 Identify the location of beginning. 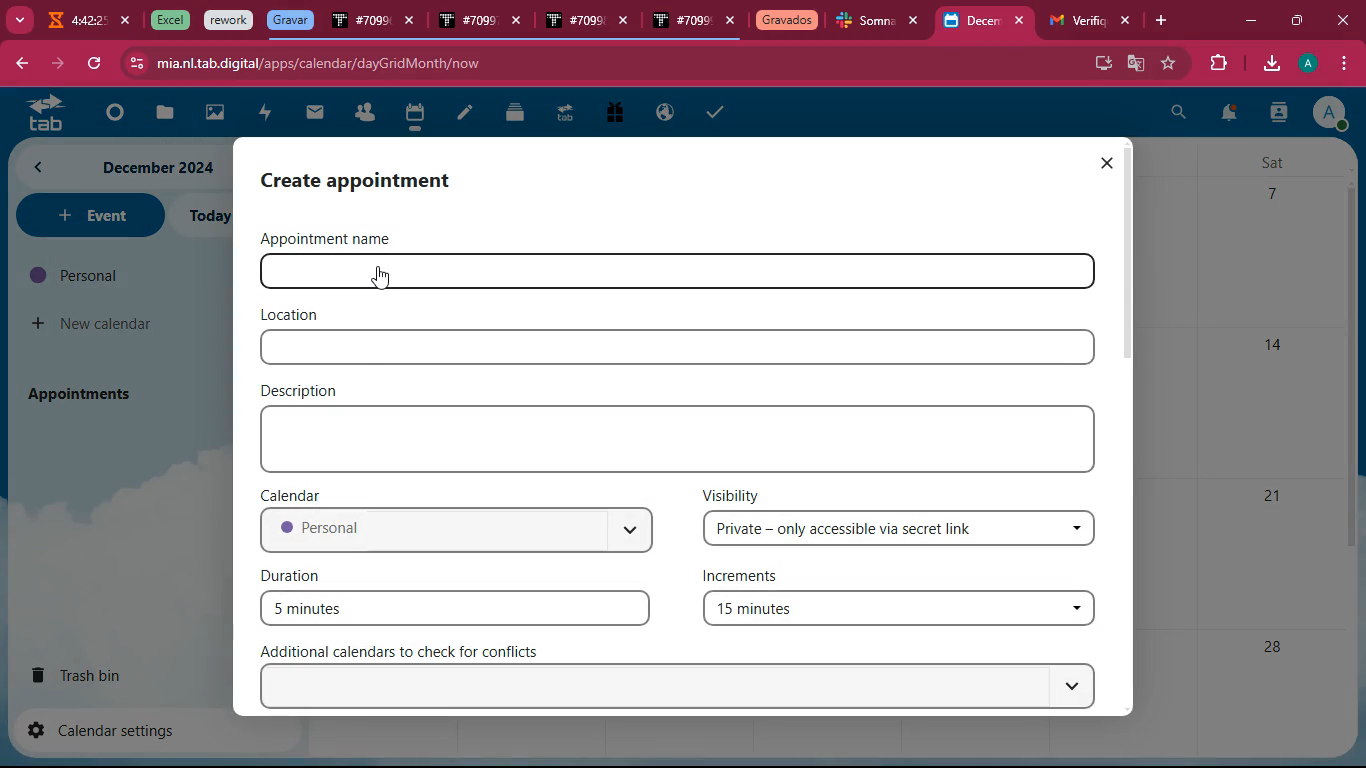
(110, 114).